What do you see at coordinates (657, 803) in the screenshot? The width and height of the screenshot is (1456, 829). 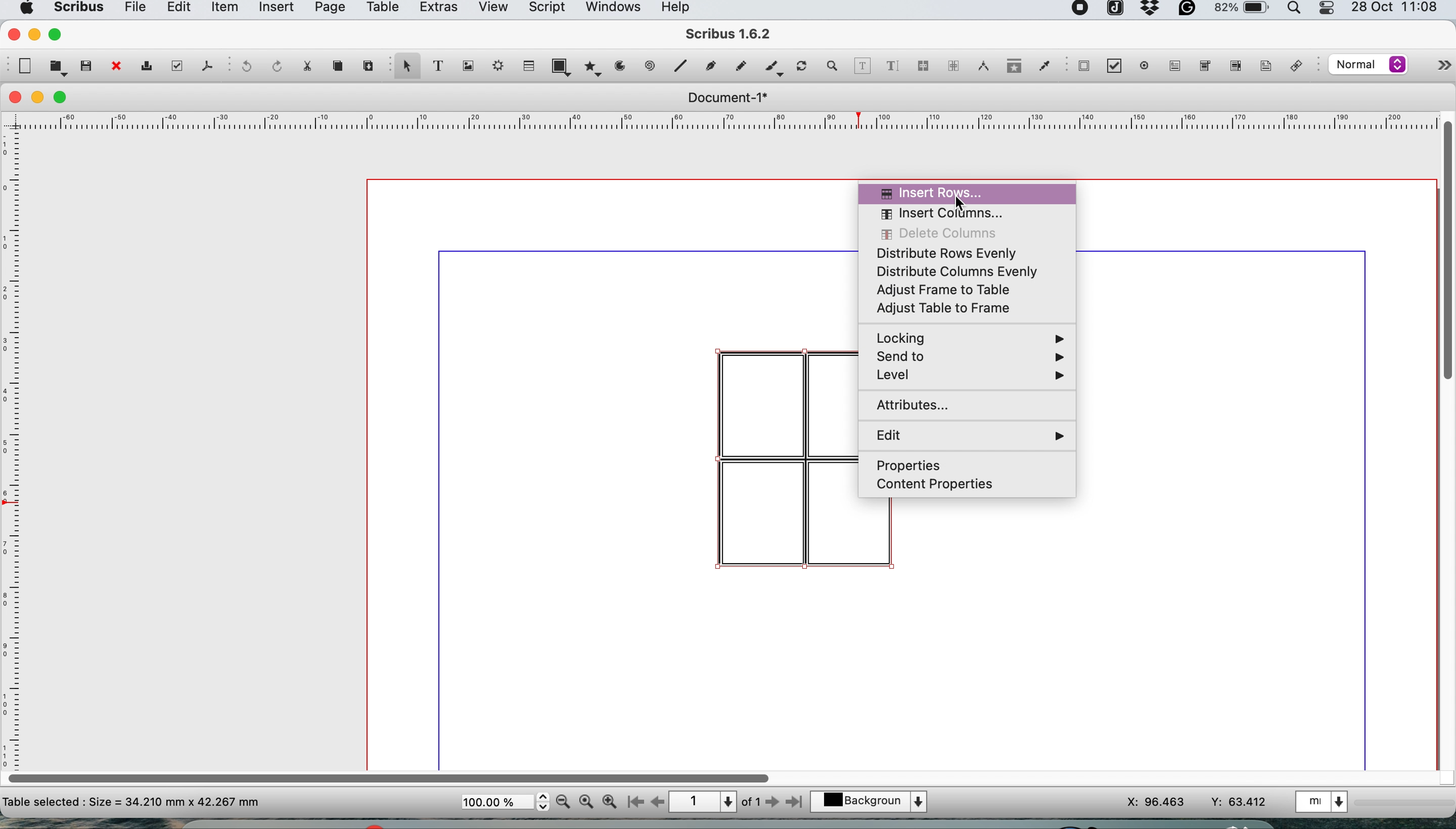 I see `go to previous page` at bounding box center [657, 803].